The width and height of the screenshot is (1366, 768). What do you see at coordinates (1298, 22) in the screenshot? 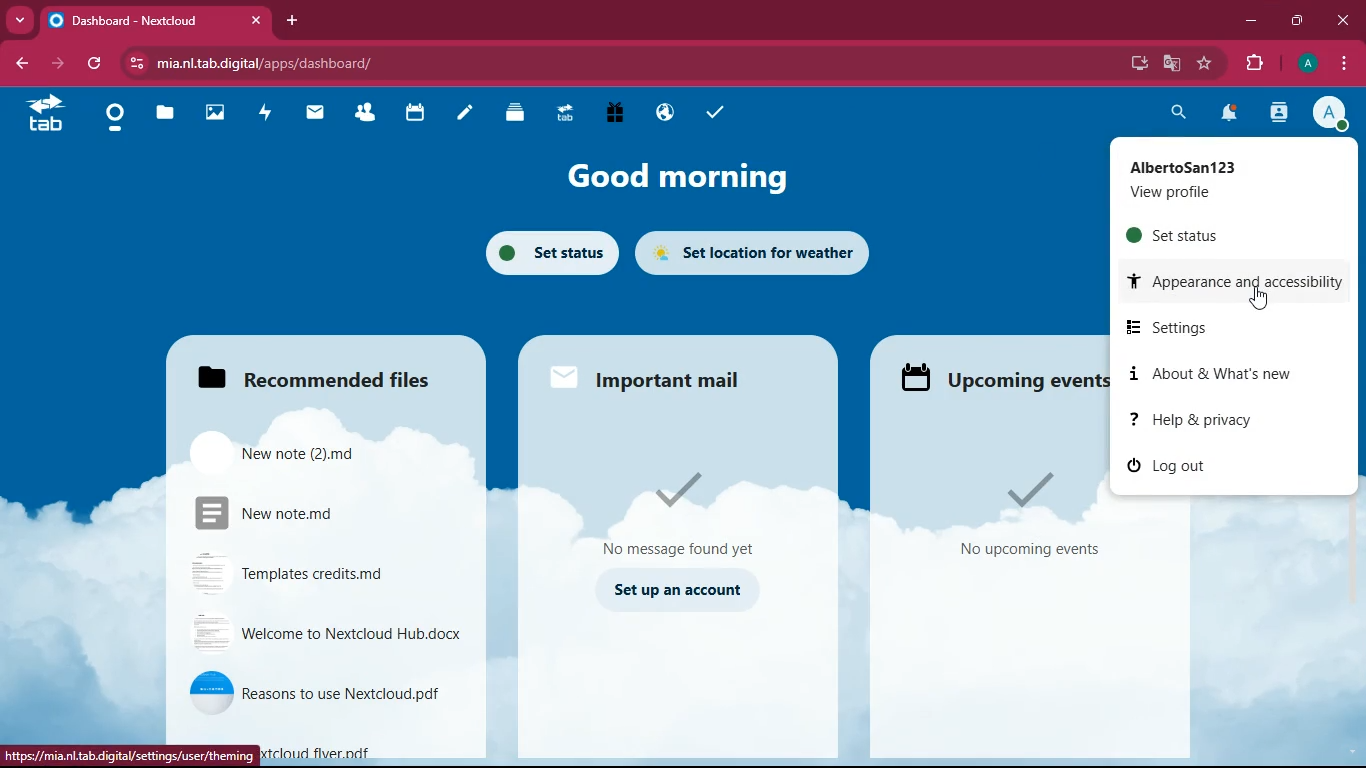
I see `maximize` at bounding box center [1298, 22].